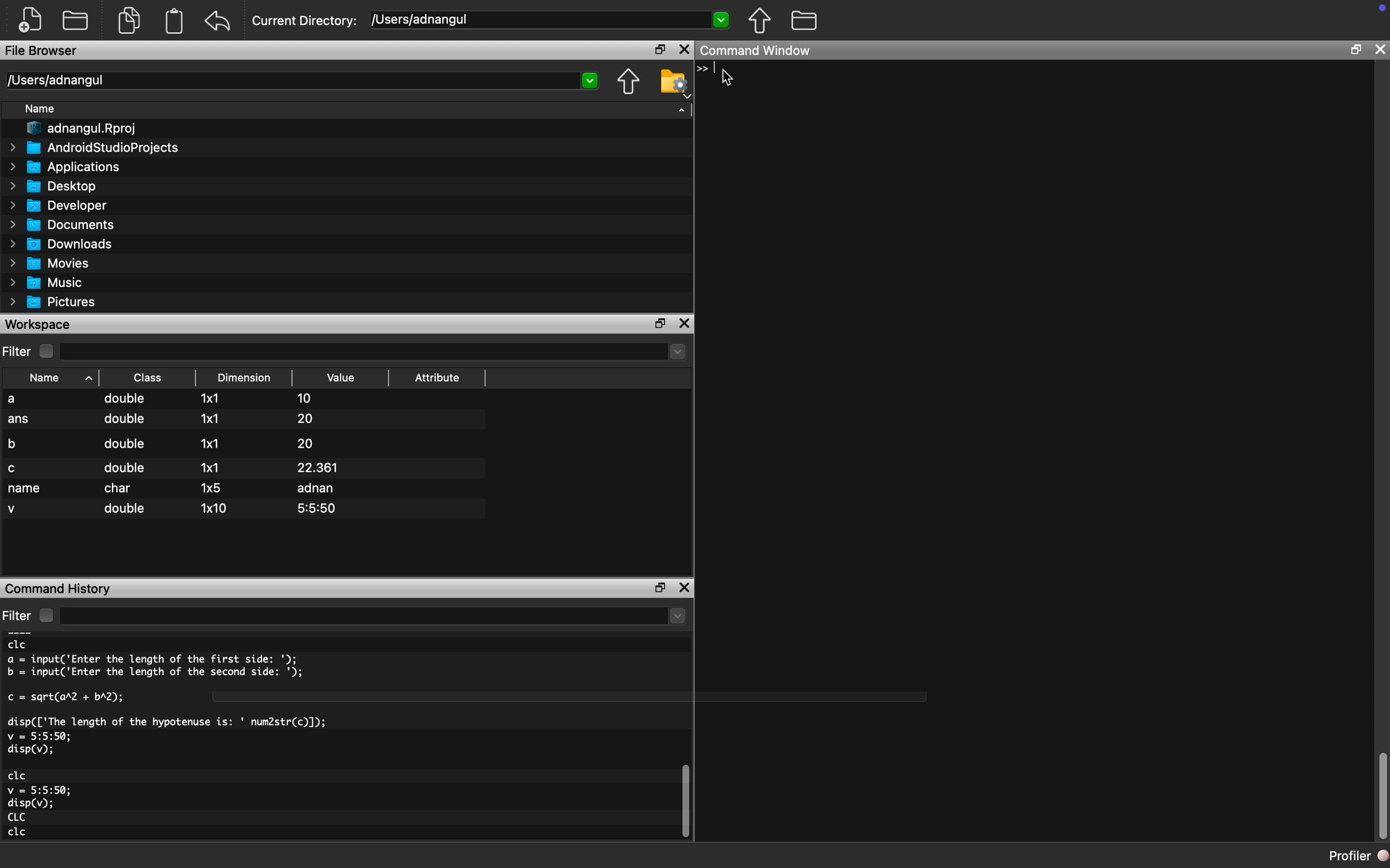  Describe the element at coordinates (60, 588) in the screenshot. I see `Command History` at that location.